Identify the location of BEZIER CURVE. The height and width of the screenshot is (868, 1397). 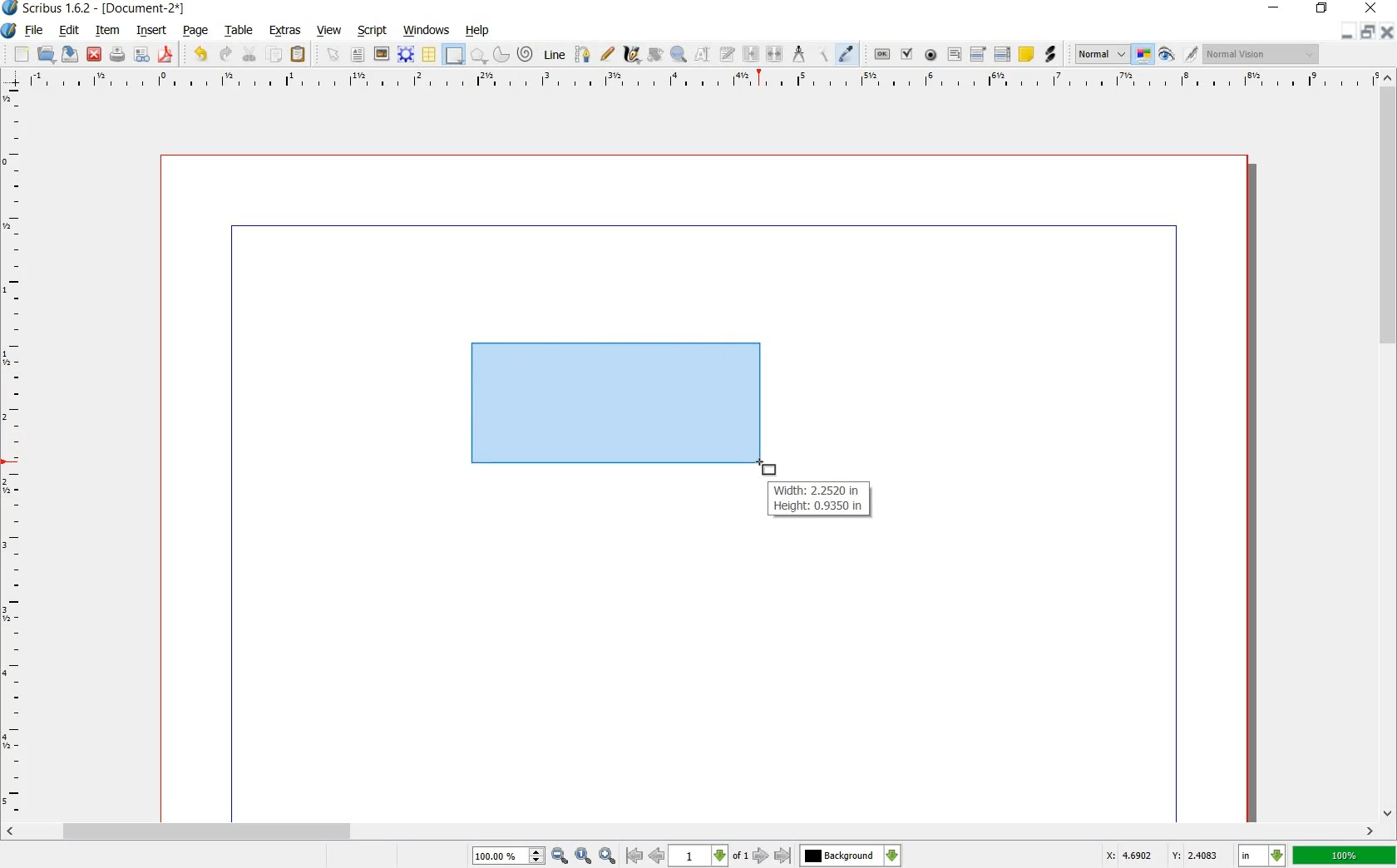
(585, 55).